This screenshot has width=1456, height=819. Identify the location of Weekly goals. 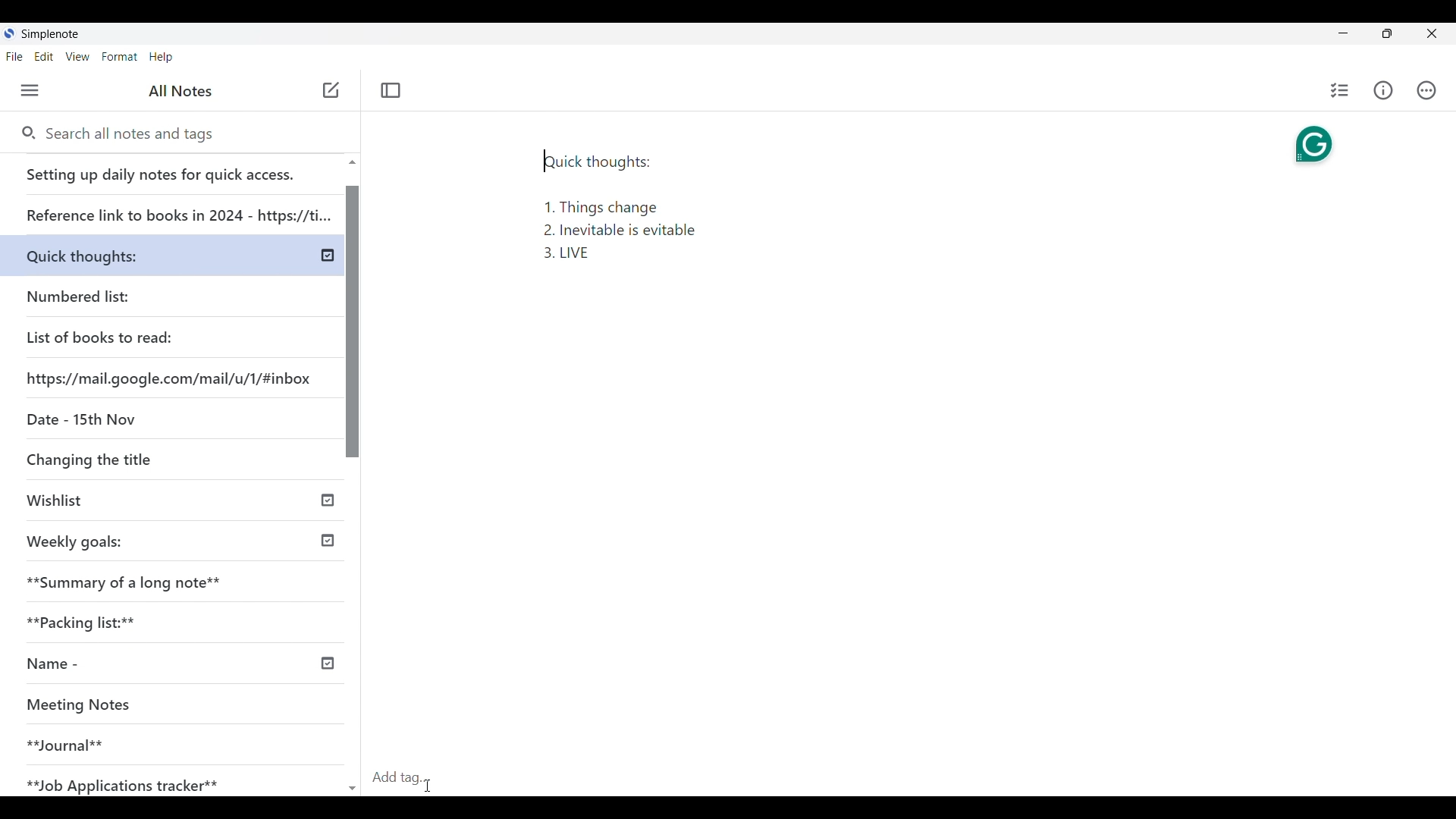
(74, 540).